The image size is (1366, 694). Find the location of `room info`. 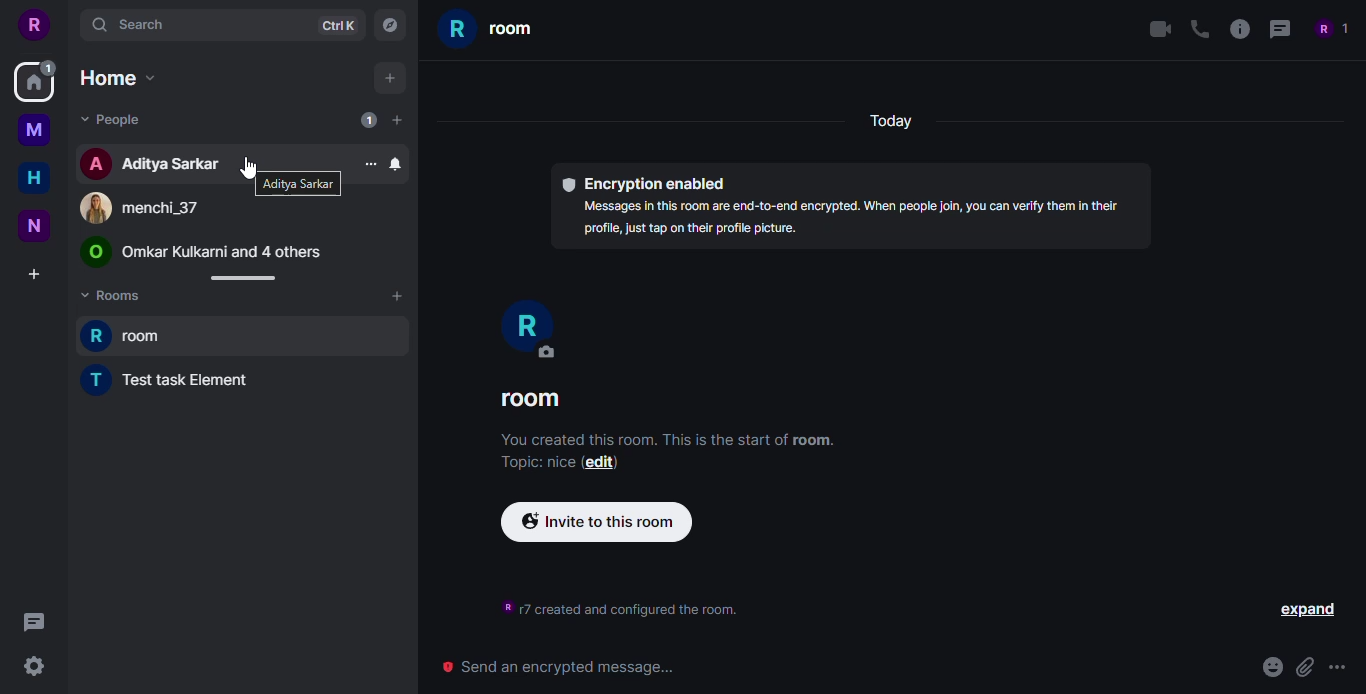

room info is located at coordinates (1235, 28).